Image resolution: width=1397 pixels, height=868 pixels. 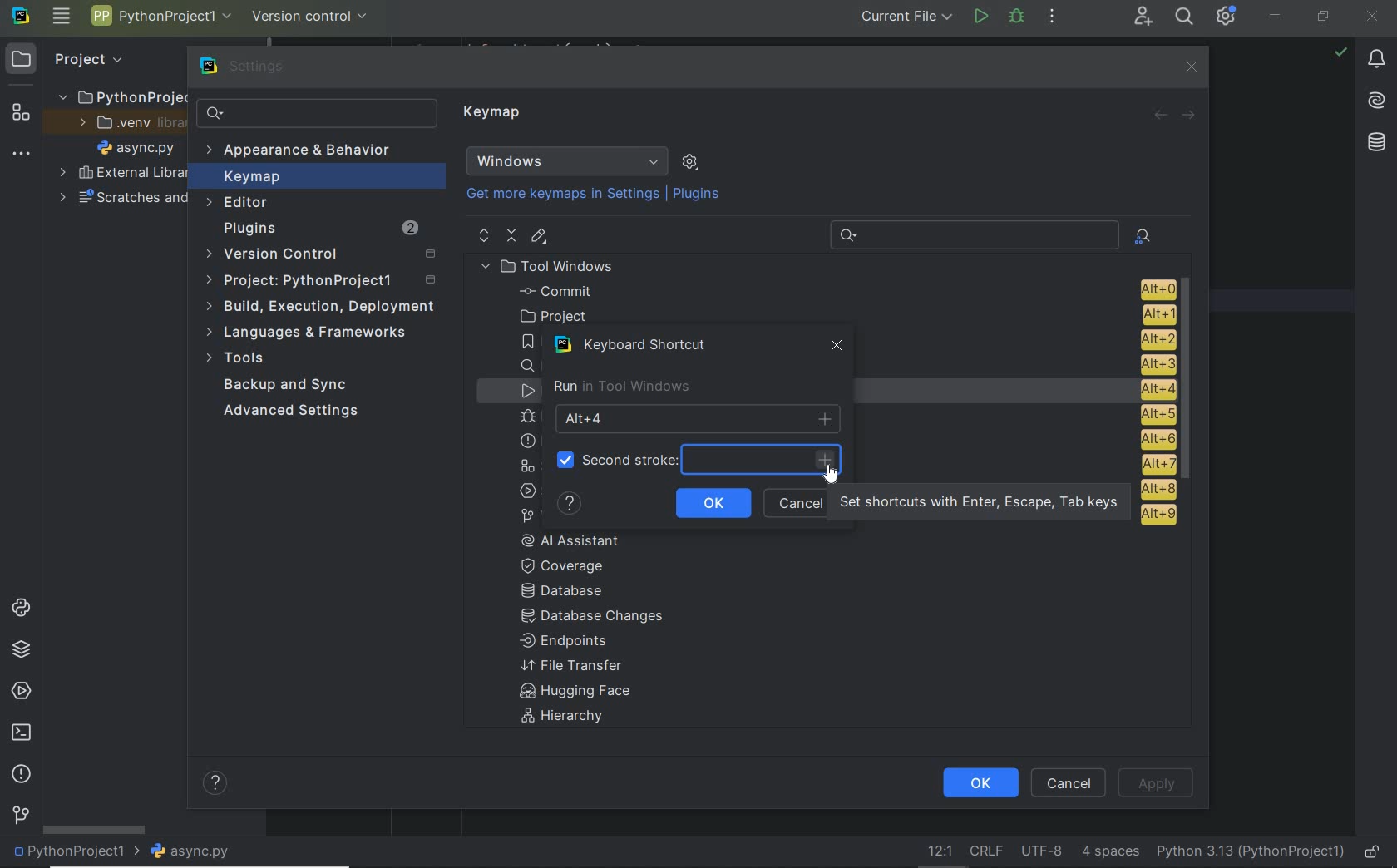 I want to click on alt + 6, so click(x=1156, y=440).